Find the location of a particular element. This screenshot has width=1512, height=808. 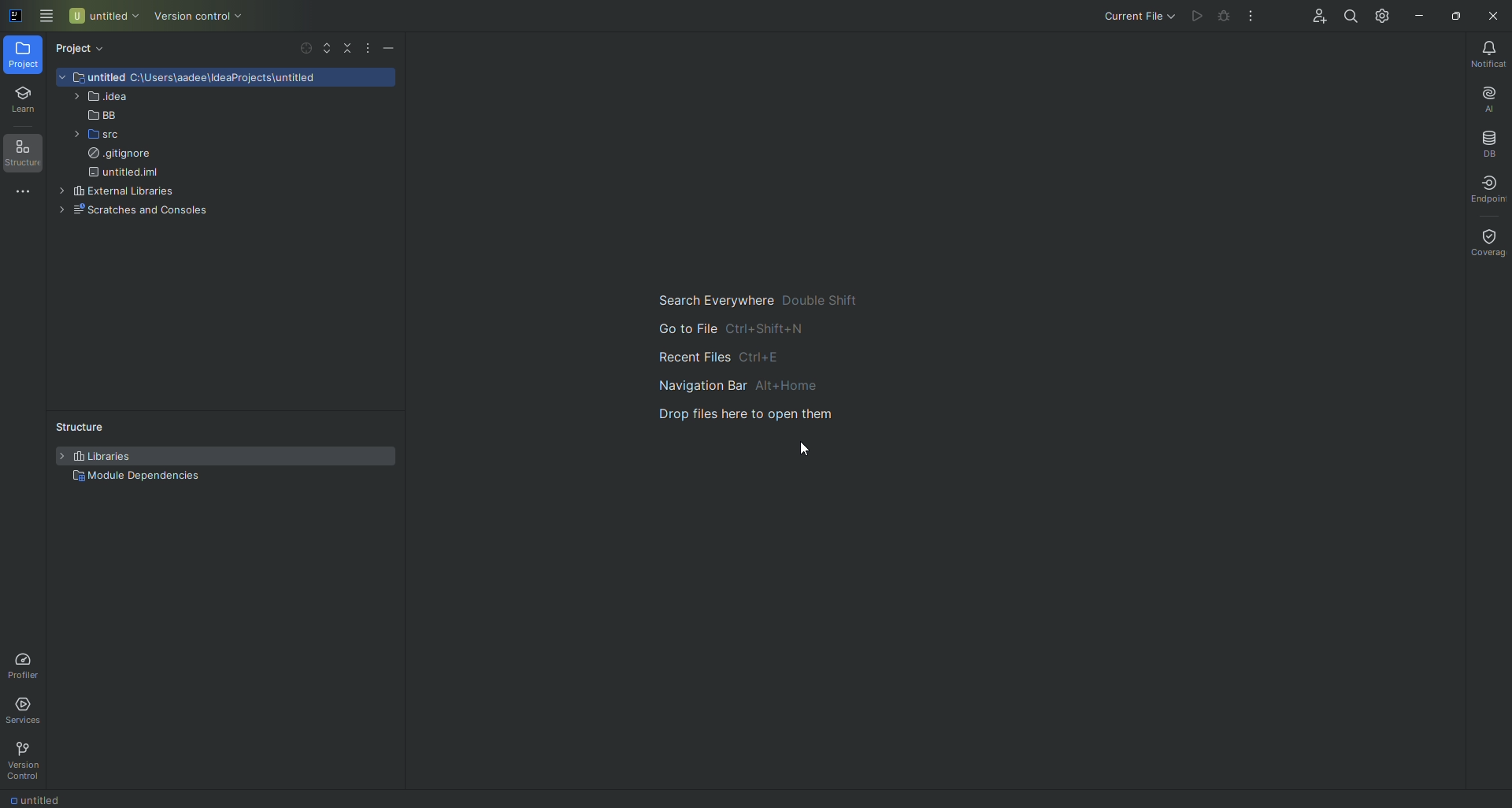

Services is located at coordinates (27, 710).